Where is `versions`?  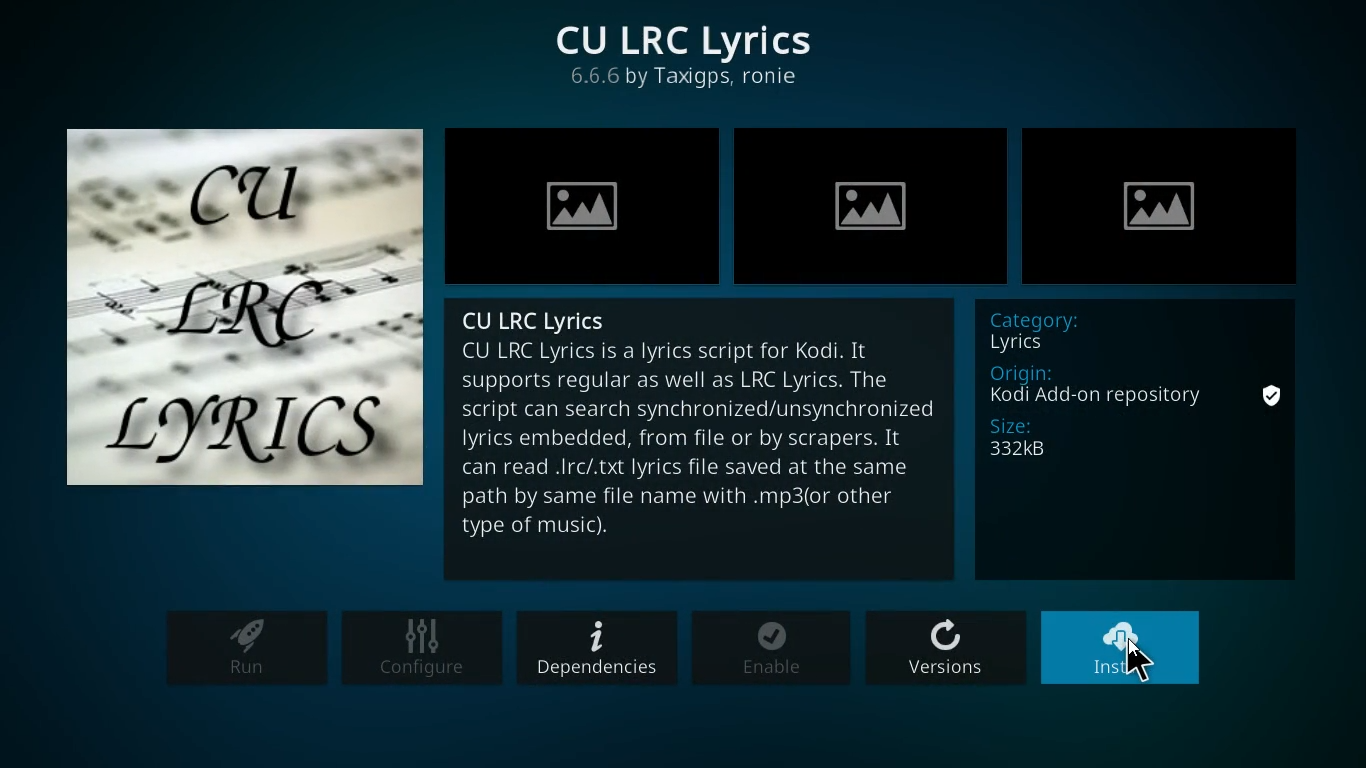 versions is located at coordinates (944, 646).